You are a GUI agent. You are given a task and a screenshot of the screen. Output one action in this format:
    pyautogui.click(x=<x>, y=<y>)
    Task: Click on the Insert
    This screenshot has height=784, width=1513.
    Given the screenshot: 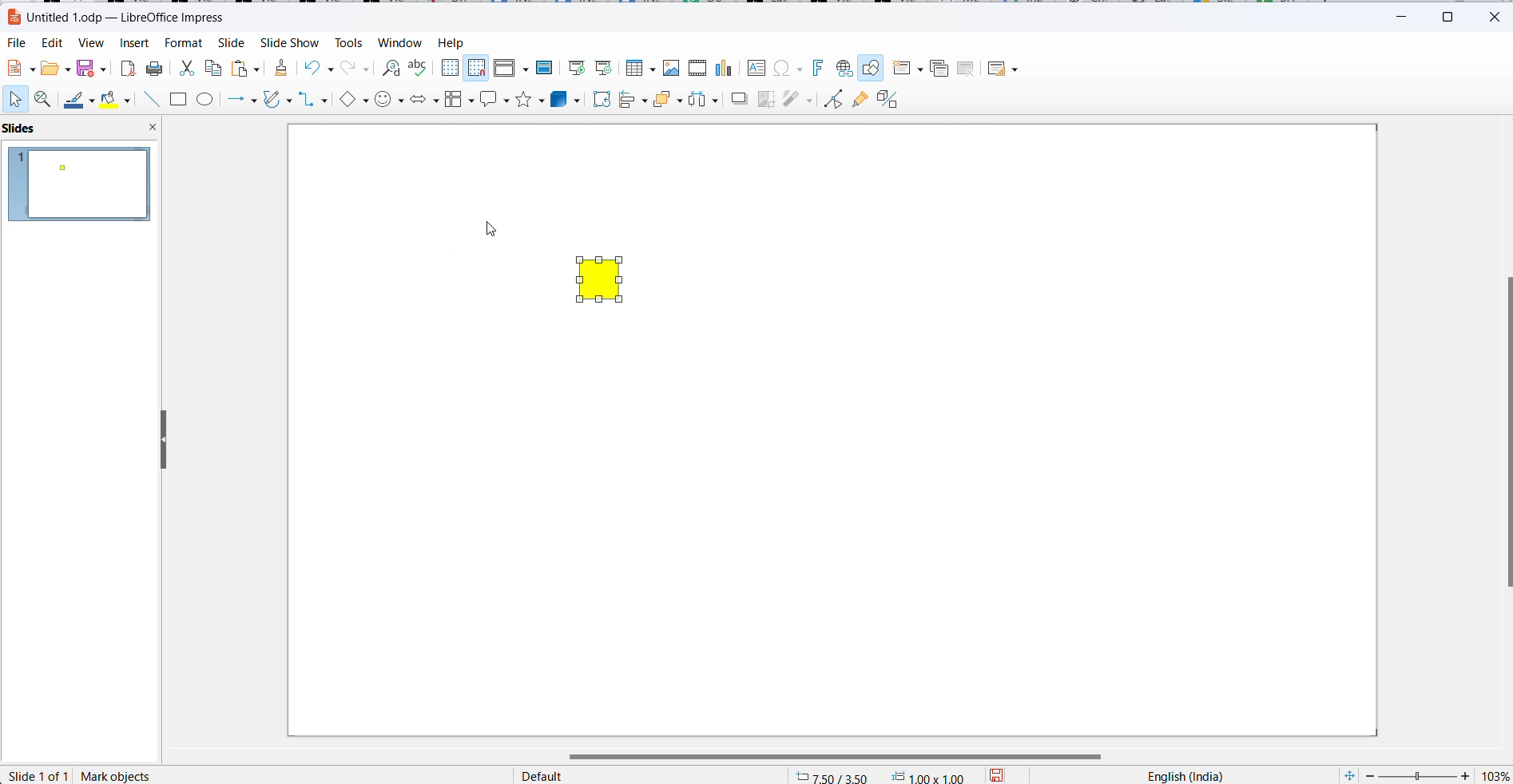 What is the action you would take?
    pyautogui.click(x=134, y=44)
    